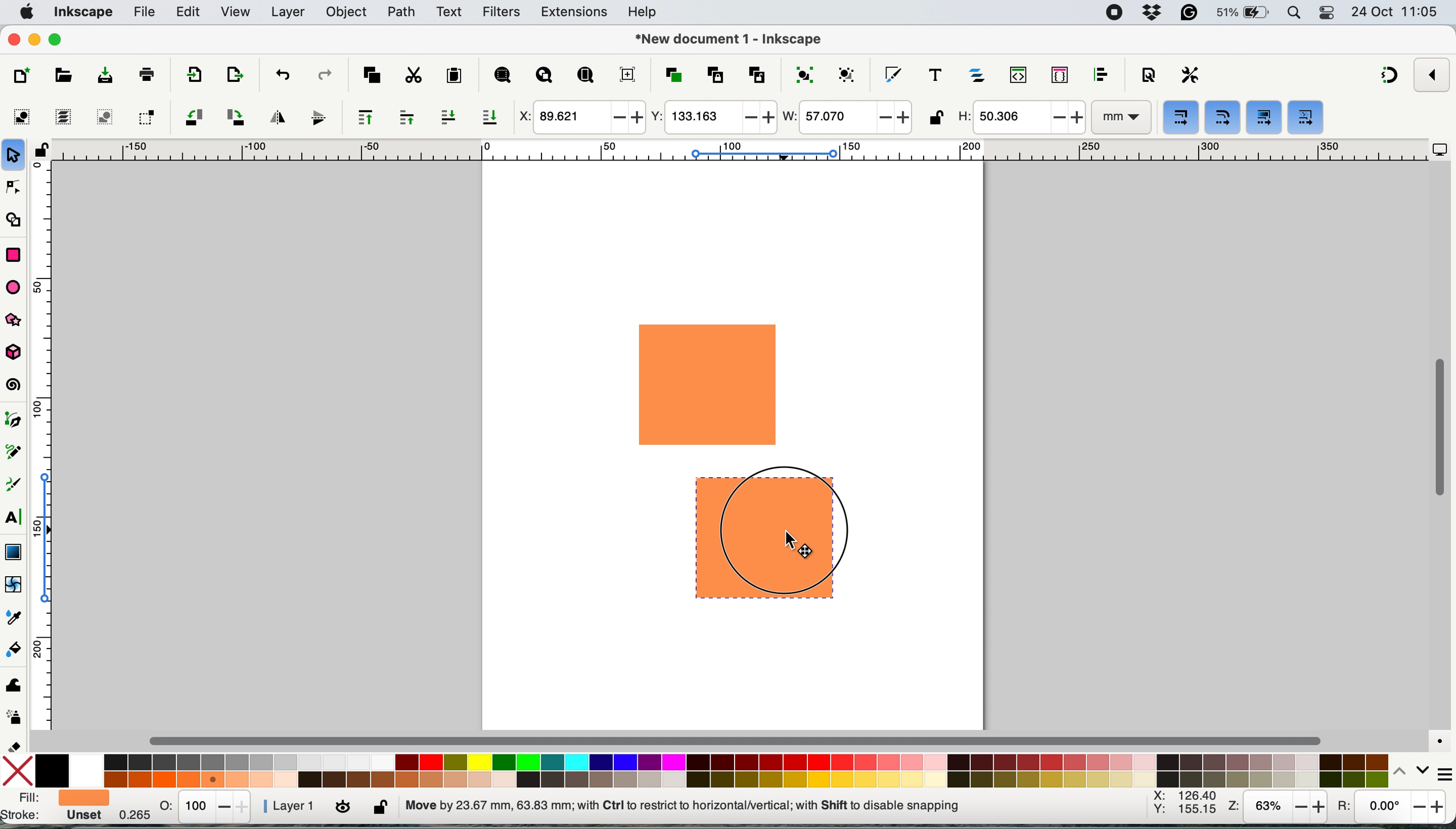 The image size is (1456, 829). Describe the element at coordinates (16, 651) in the screenshot. I see `paint bucket tool` at that location.